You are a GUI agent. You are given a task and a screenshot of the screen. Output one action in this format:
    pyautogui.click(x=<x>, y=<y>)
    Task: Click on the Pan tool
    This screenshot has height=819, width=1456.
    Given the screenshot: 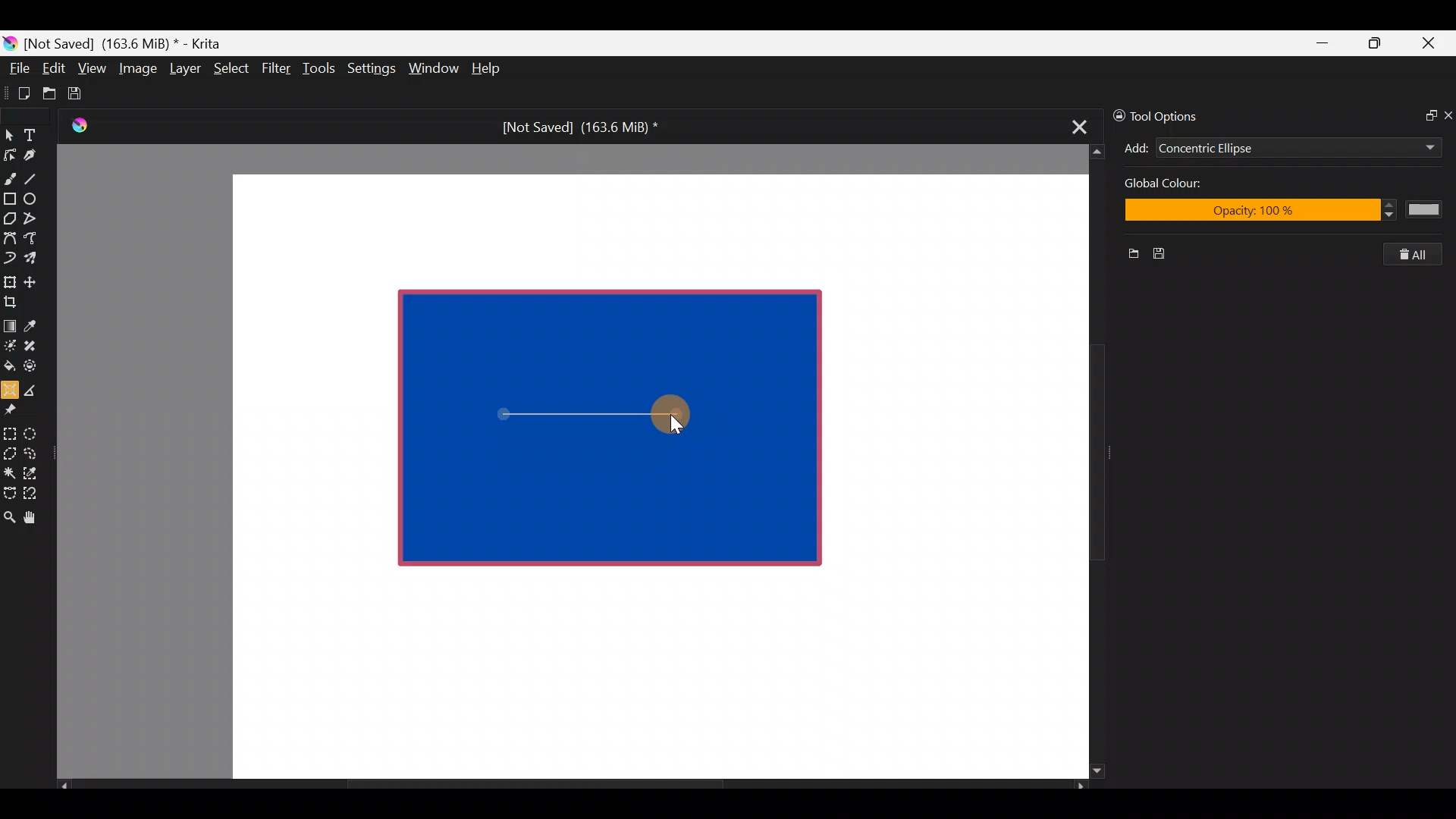 What is the action you would take?
    pyautogui.click(x=36, y=518)
    